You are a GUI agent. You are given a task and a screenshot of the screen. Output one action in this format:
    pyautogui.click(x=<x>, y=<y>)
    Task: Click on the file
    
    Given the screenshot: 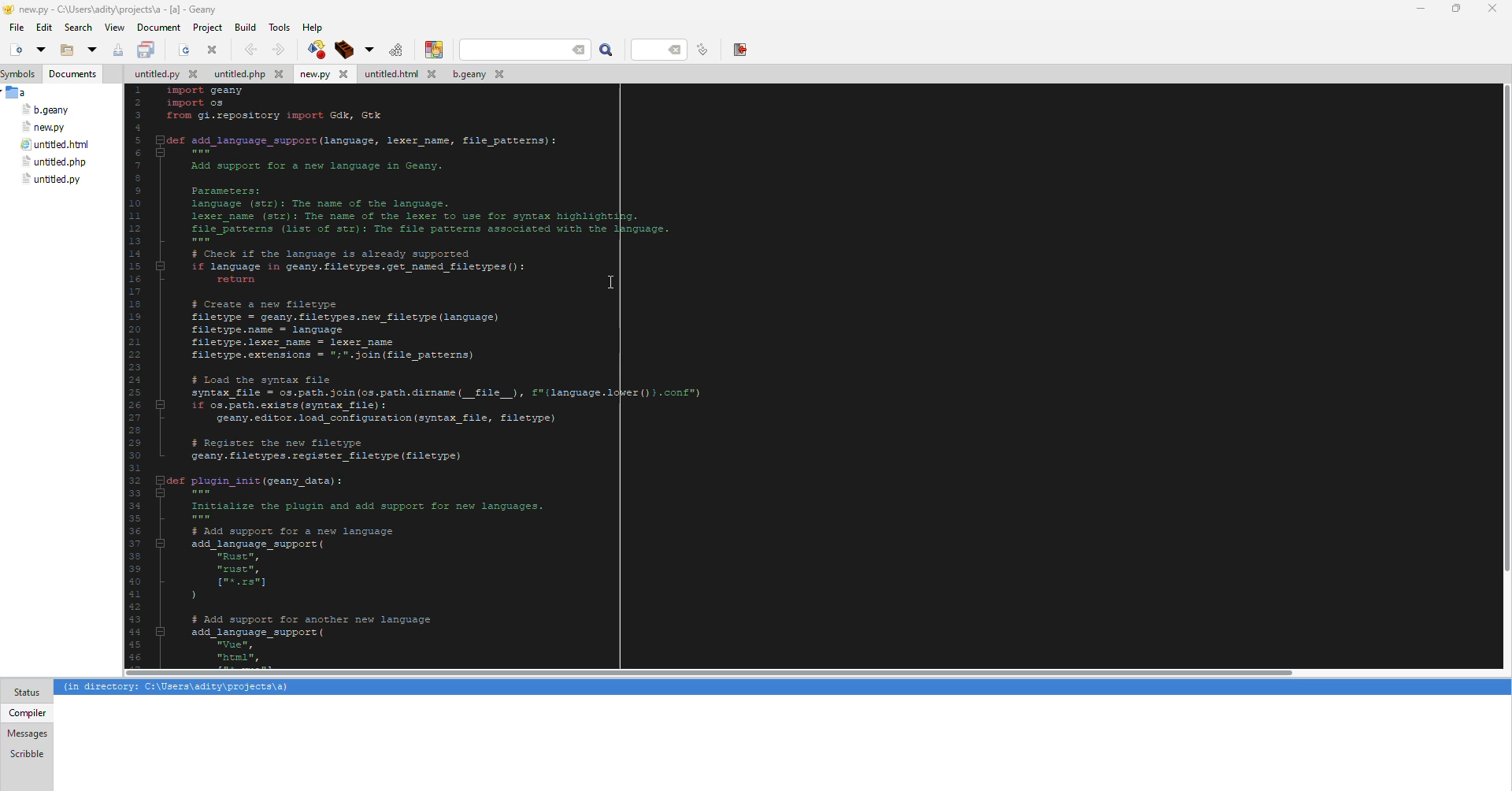 What is the action you would take?
    pyautogui.click(x=56, y=144)
    